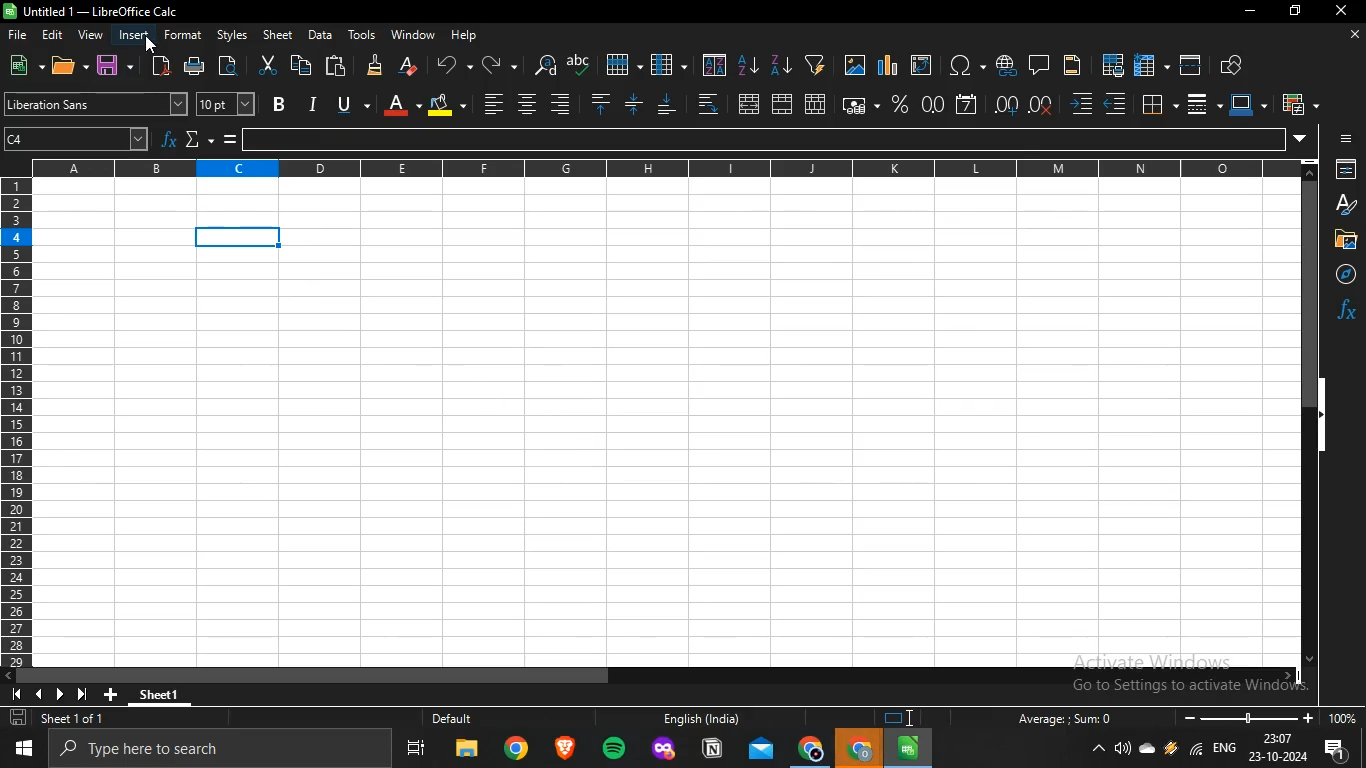 This screenshot has width=1366, height=768. Describe the element at coordinates (110, 64) in the screenshot. I see `save` at that location.